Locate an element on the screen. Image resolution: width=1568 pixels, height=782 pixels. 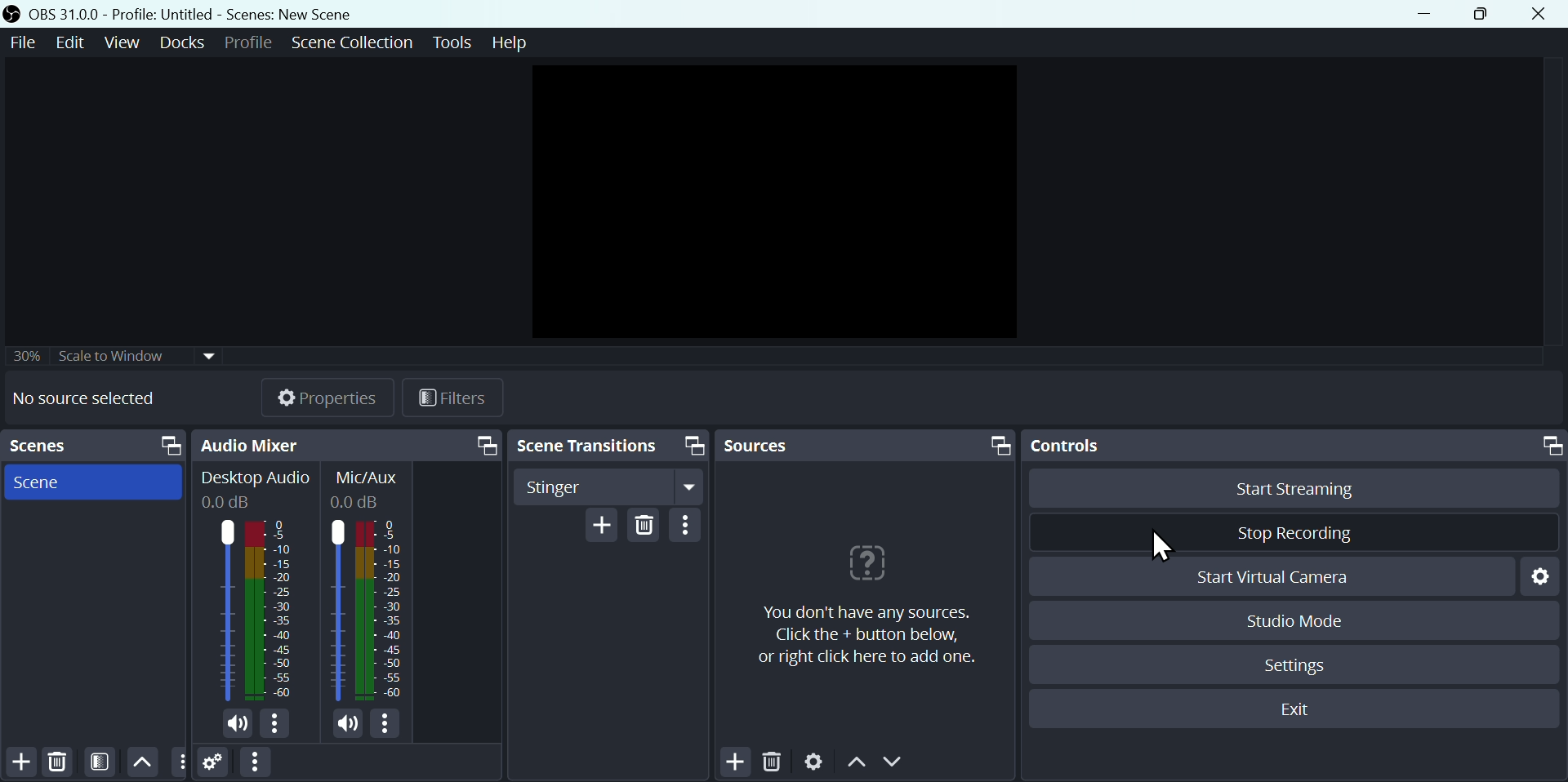
Audio mixer is located at coordinates (253, 442).